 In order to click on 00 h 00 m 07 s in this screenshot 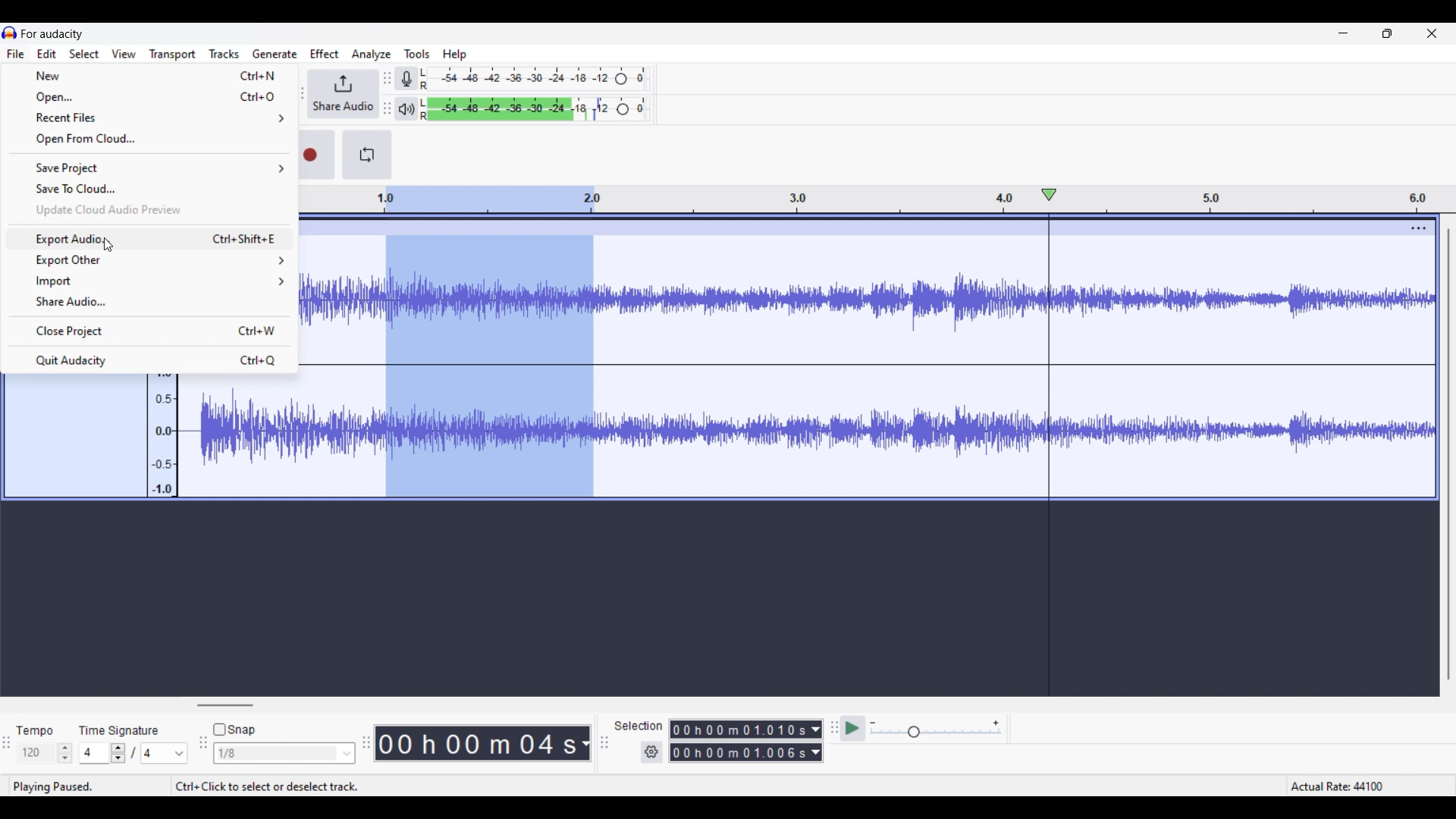, I will do `click(477, 743)`.